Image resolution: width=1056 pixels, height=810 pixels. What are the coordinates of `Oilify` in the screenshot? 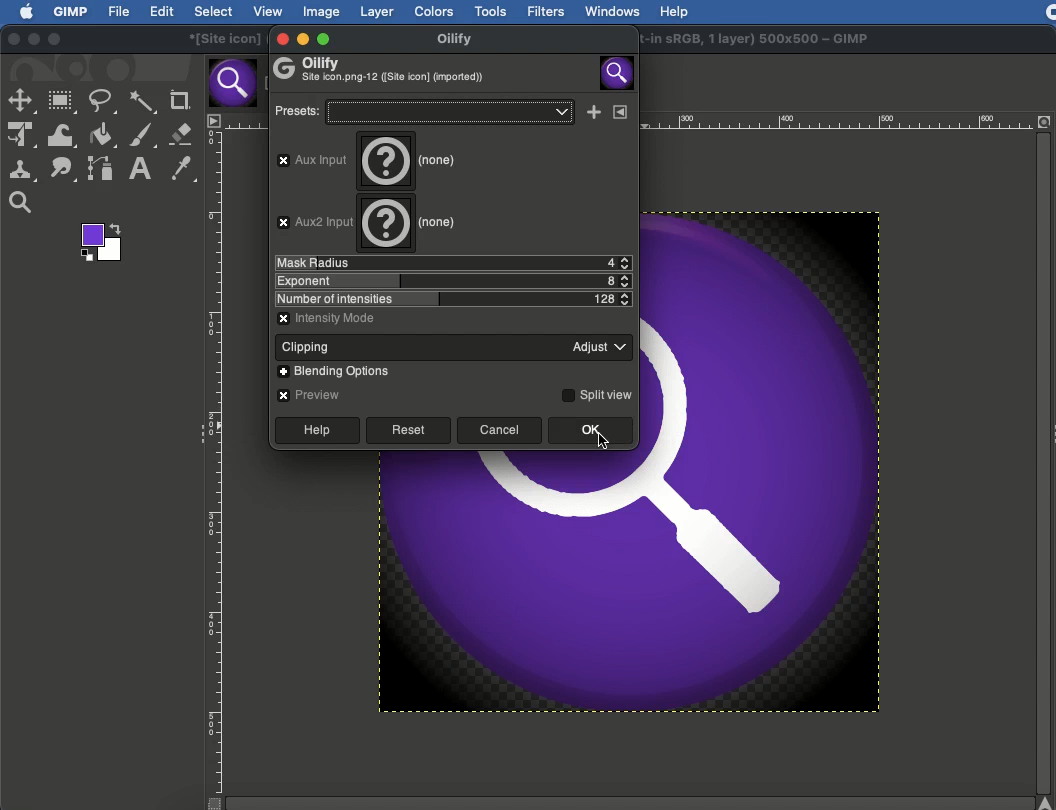 It's located at (457, 36).